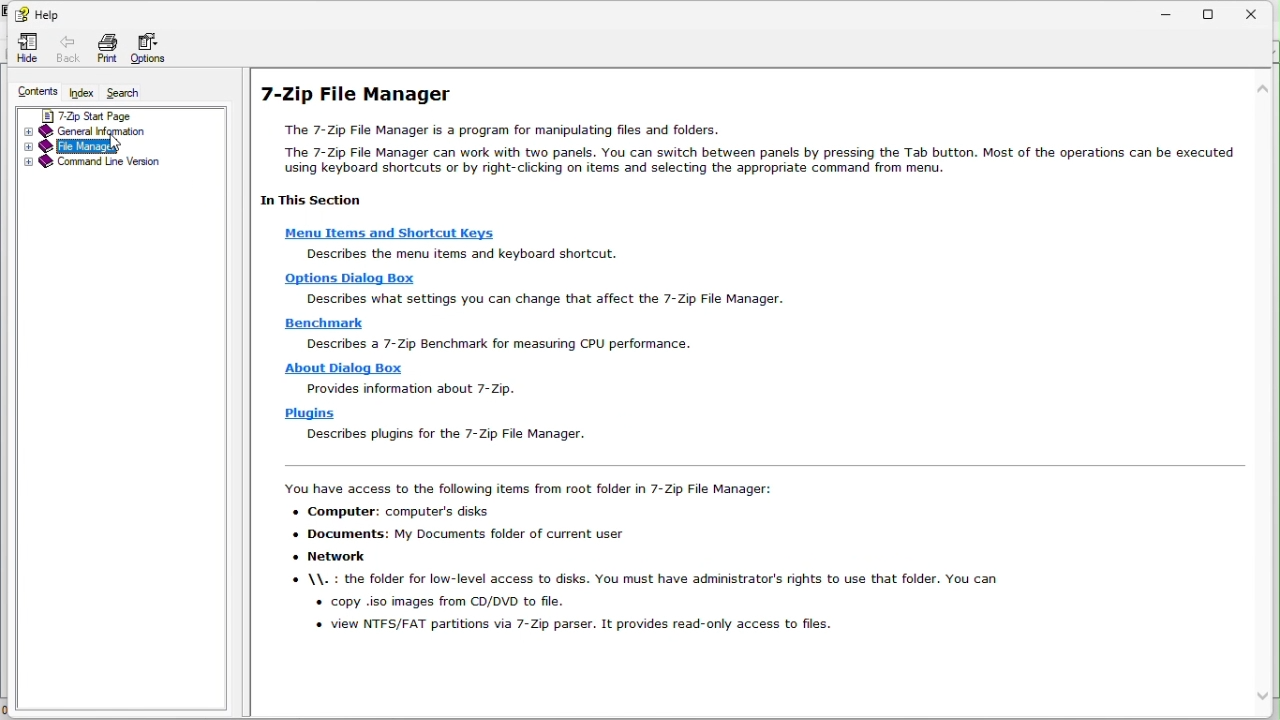 The height and width of the screenshot is (720, 1280). I want to click on Hide, so click(26, 48).